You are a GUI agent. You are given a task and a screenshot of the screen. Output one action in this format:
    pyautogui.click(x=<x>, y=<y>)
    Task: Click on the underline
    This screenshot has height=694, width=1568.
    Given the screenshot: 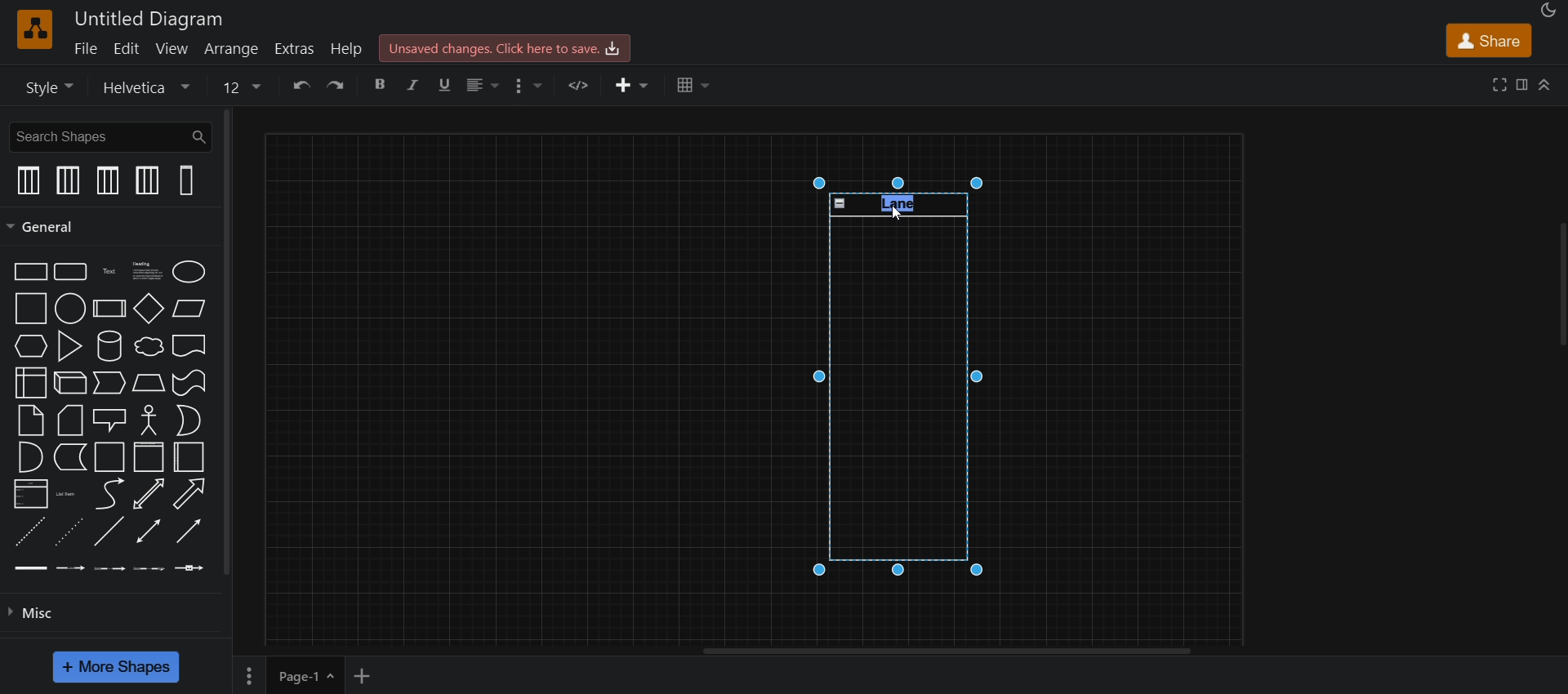 What is the action you would take?
    pyautogui.click(x=448, y=84)
    